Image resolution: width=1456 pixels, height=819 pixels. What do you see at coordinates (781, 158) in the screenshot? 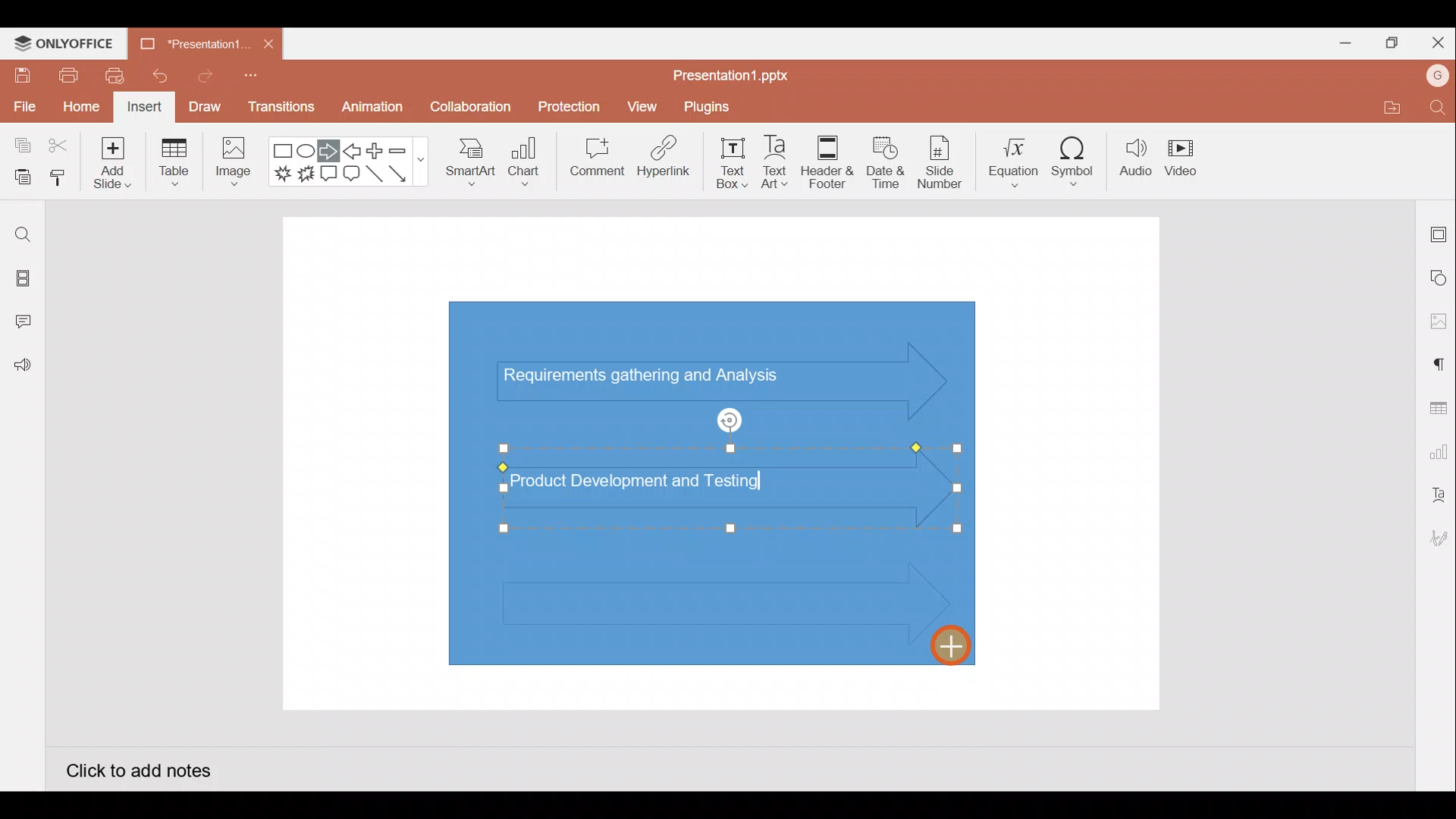
I see `Text Art` at bounding box center [781, 158].